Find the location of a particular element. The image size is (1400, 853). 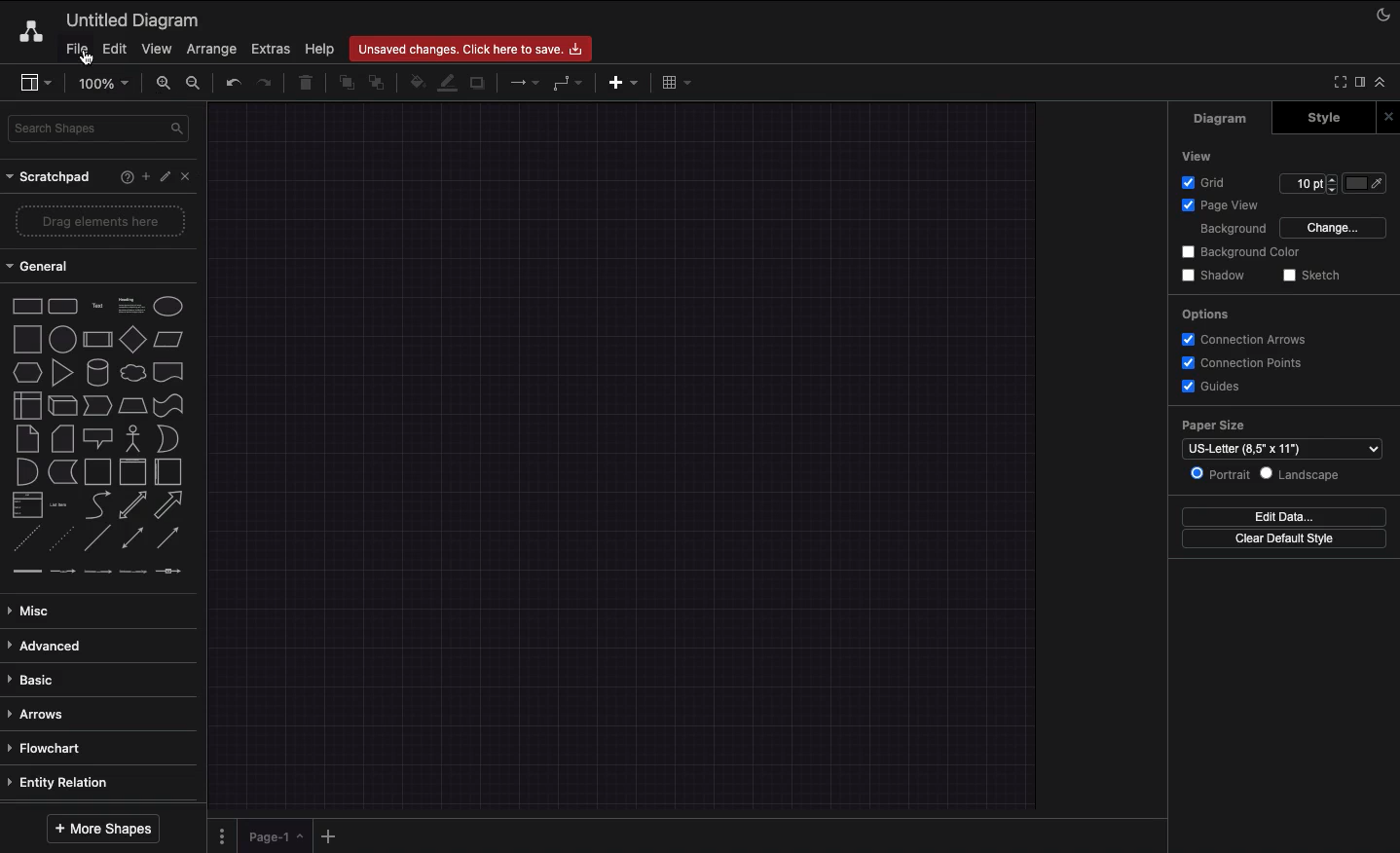

Shadow is located at coordinates (1213, 275).